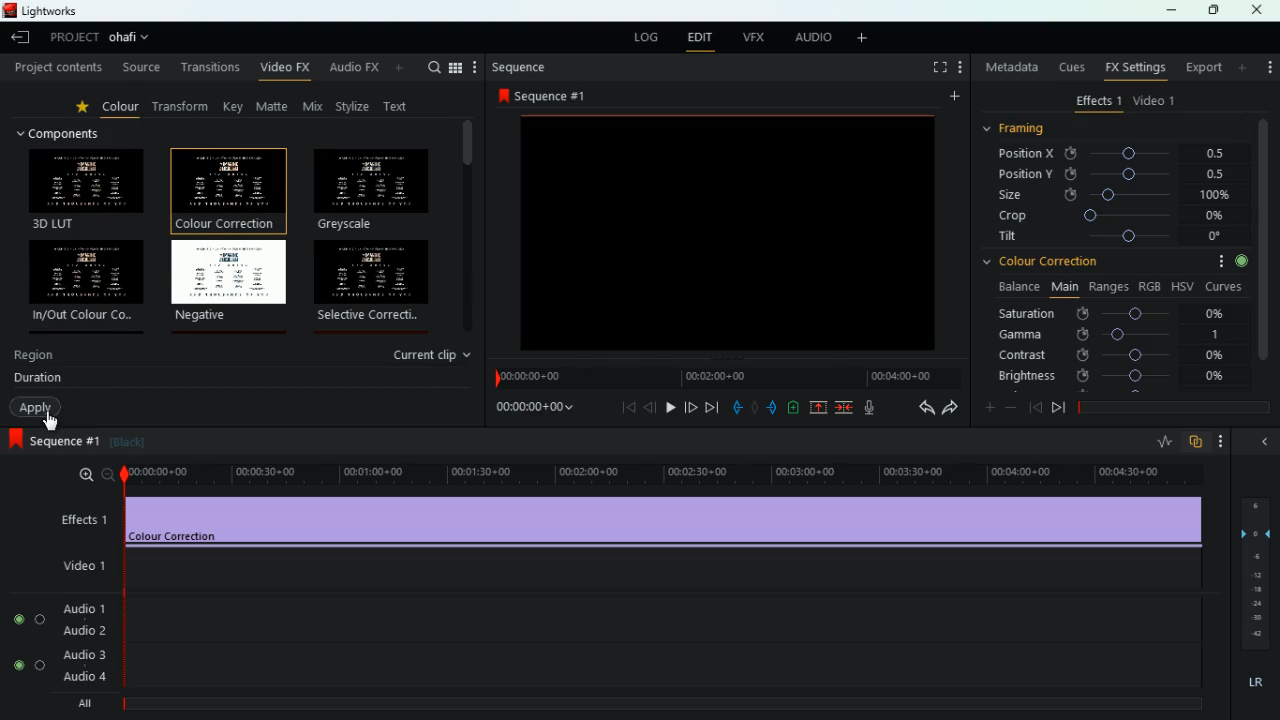 Image resolution: width=1280 pixels, height=720 pixels. I want to click on metadata, so click(1008, 69).